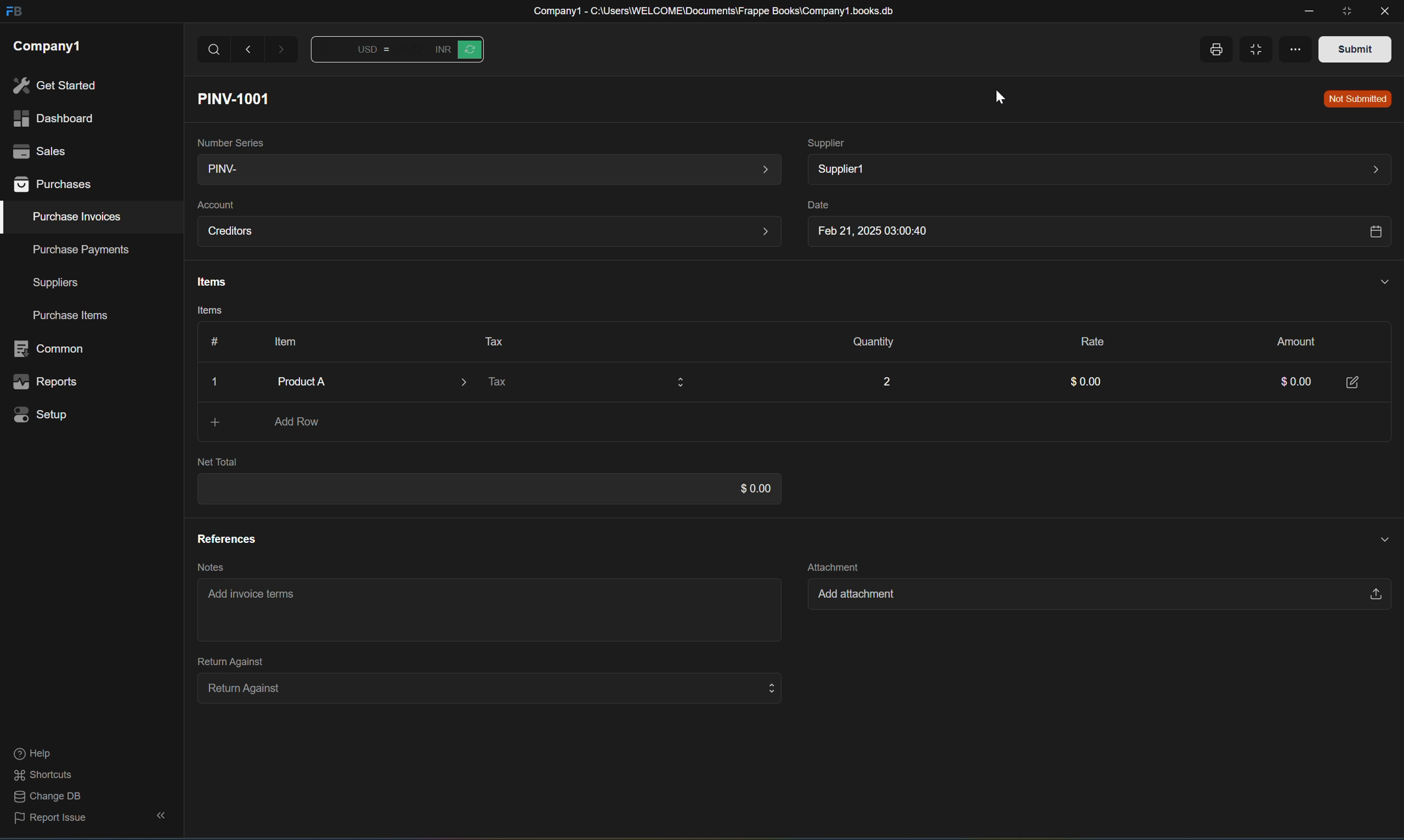  I want to click on setup, so click(44, 414).